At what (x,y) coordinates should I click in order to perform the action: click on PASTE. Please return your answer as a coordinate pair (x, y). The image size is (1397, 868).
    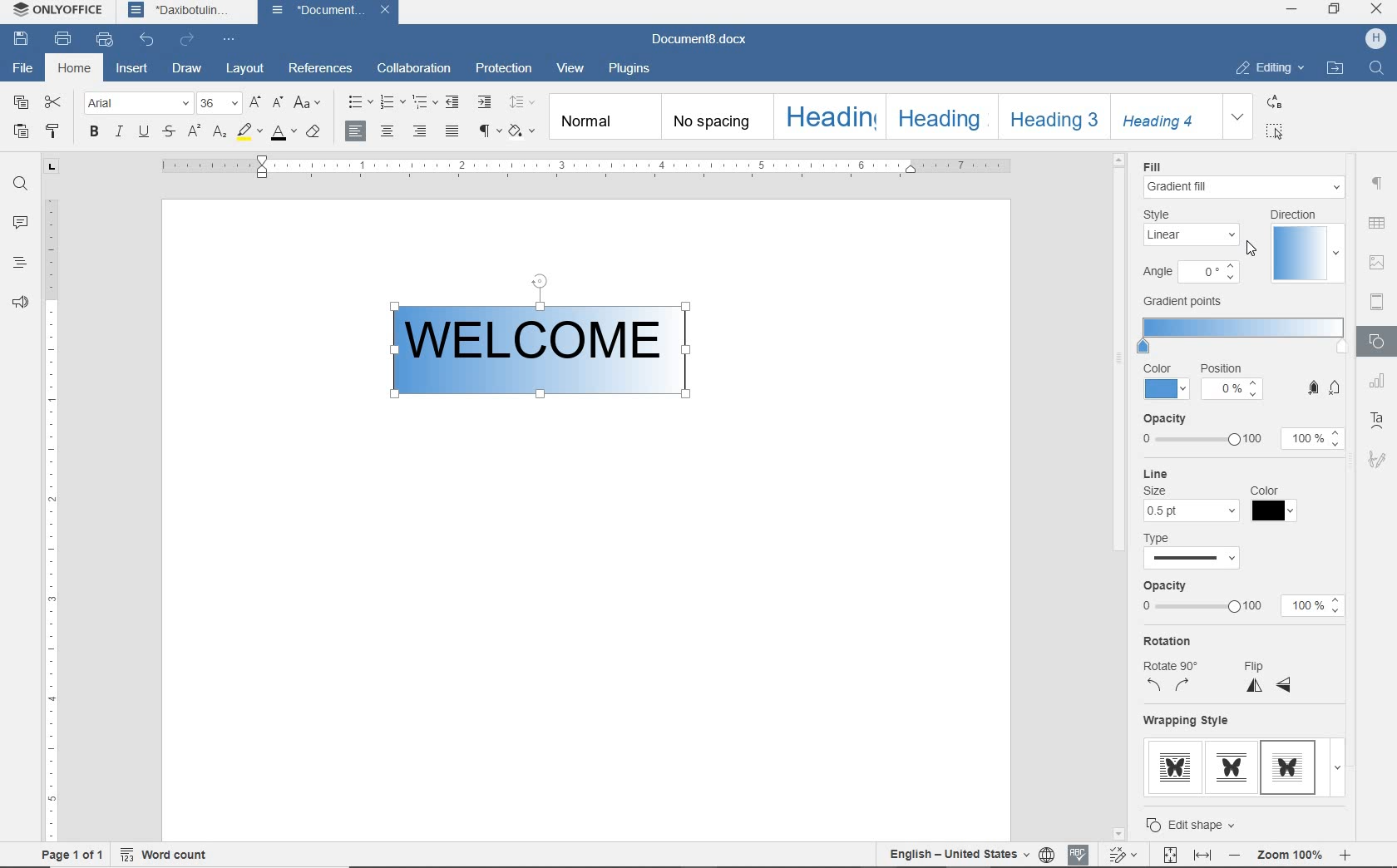
    Looking at the image, I should click on (22, 131).